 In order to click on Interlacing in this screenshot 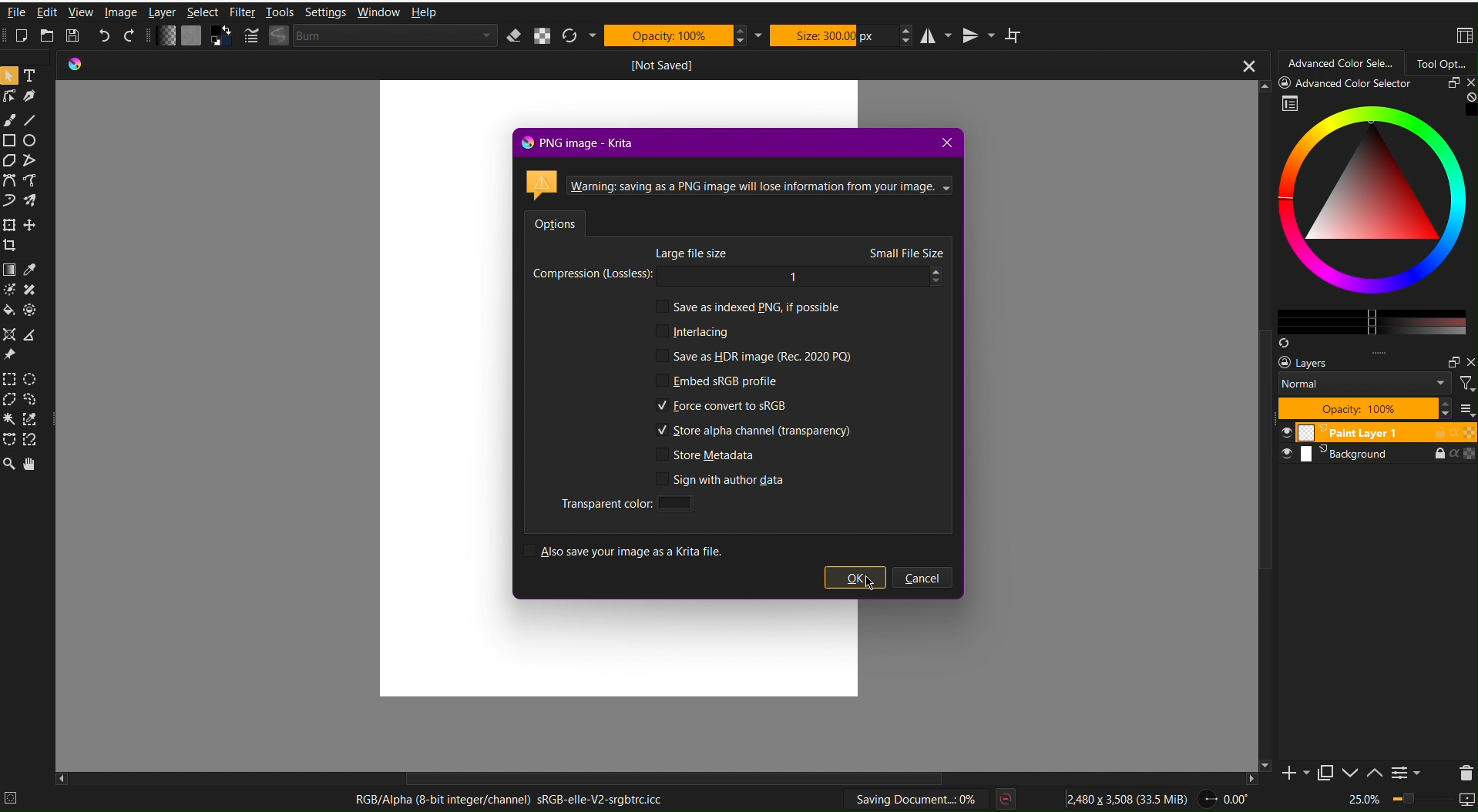, I will do `click(693, 331)`.